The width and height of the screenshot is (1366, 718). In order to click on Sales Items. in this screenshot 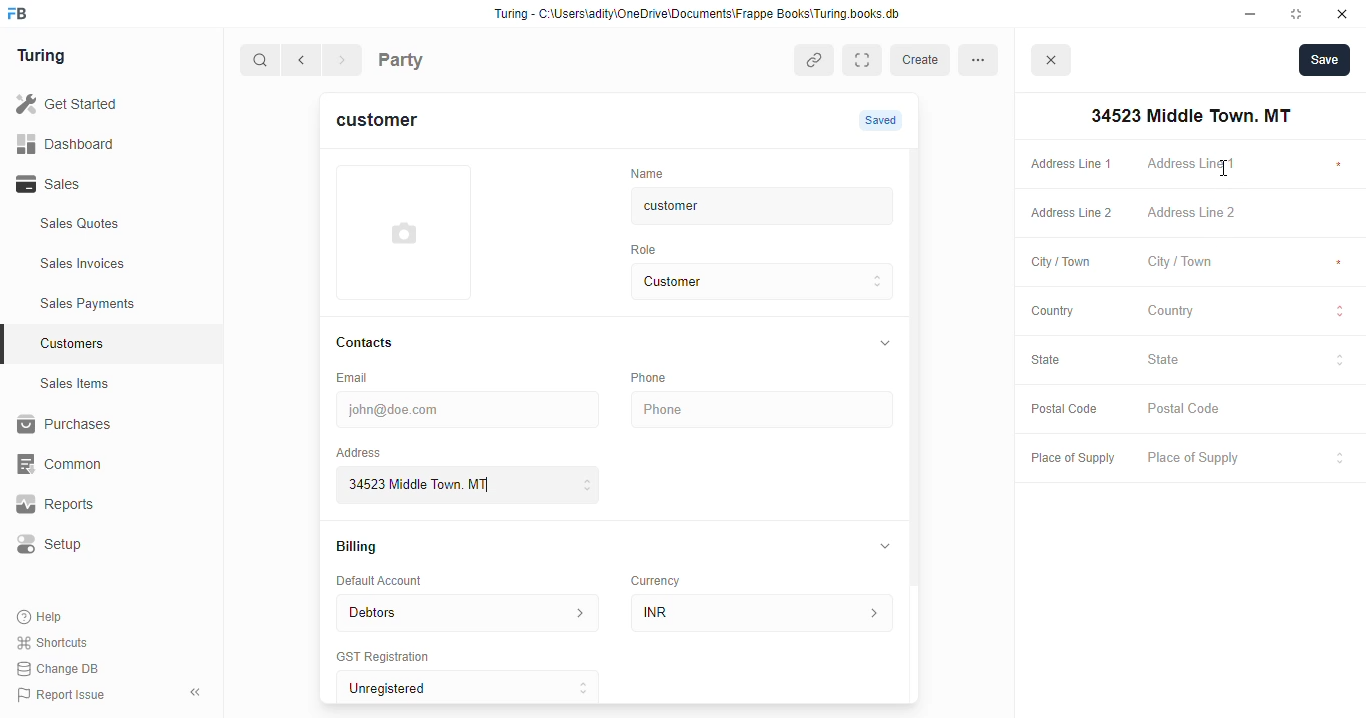, I will do `click(111, 384)`.